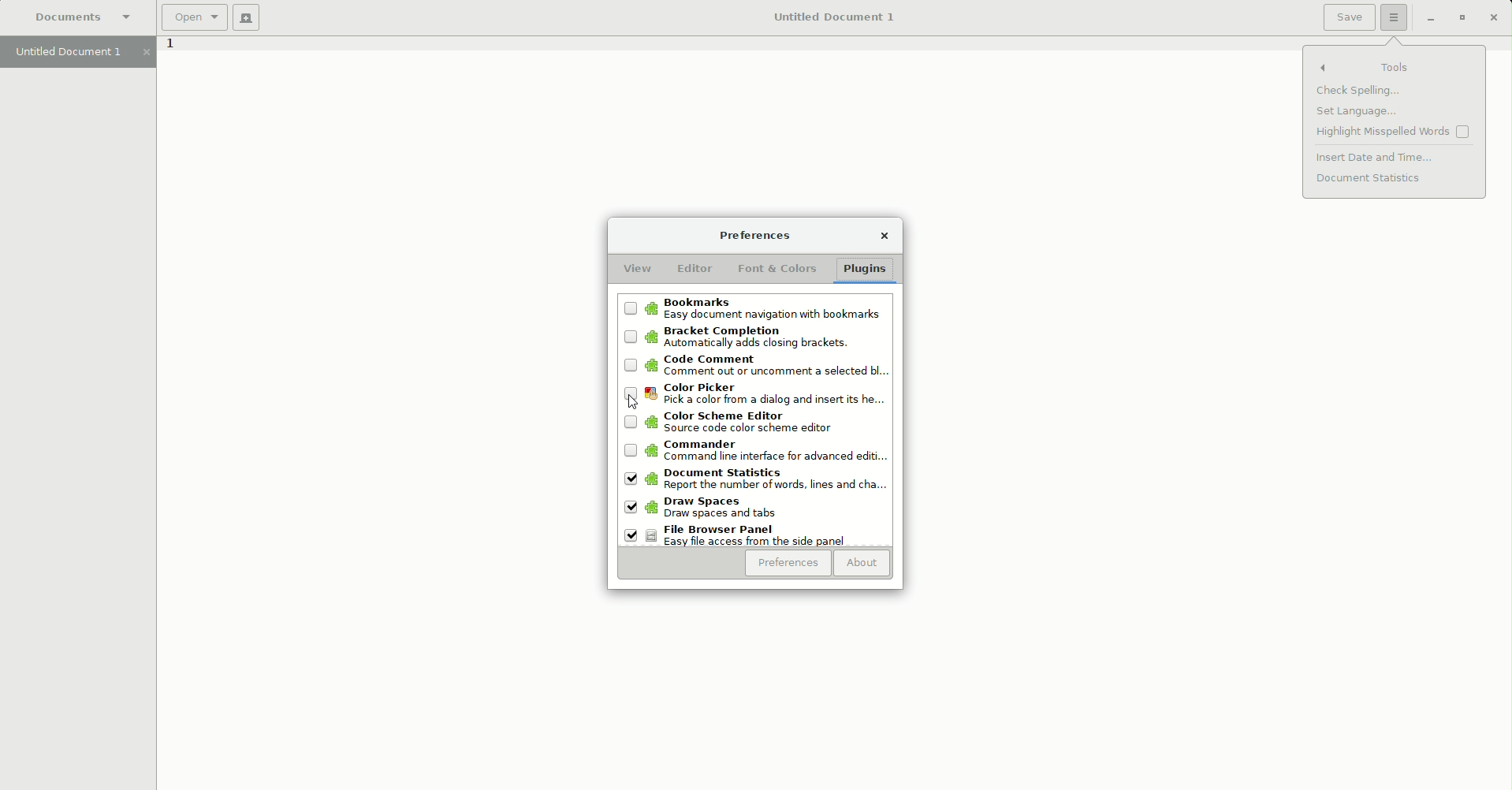 This screenshot has height=790, width=1512. I want to click on Untitled Document 1, so click(832, 17).